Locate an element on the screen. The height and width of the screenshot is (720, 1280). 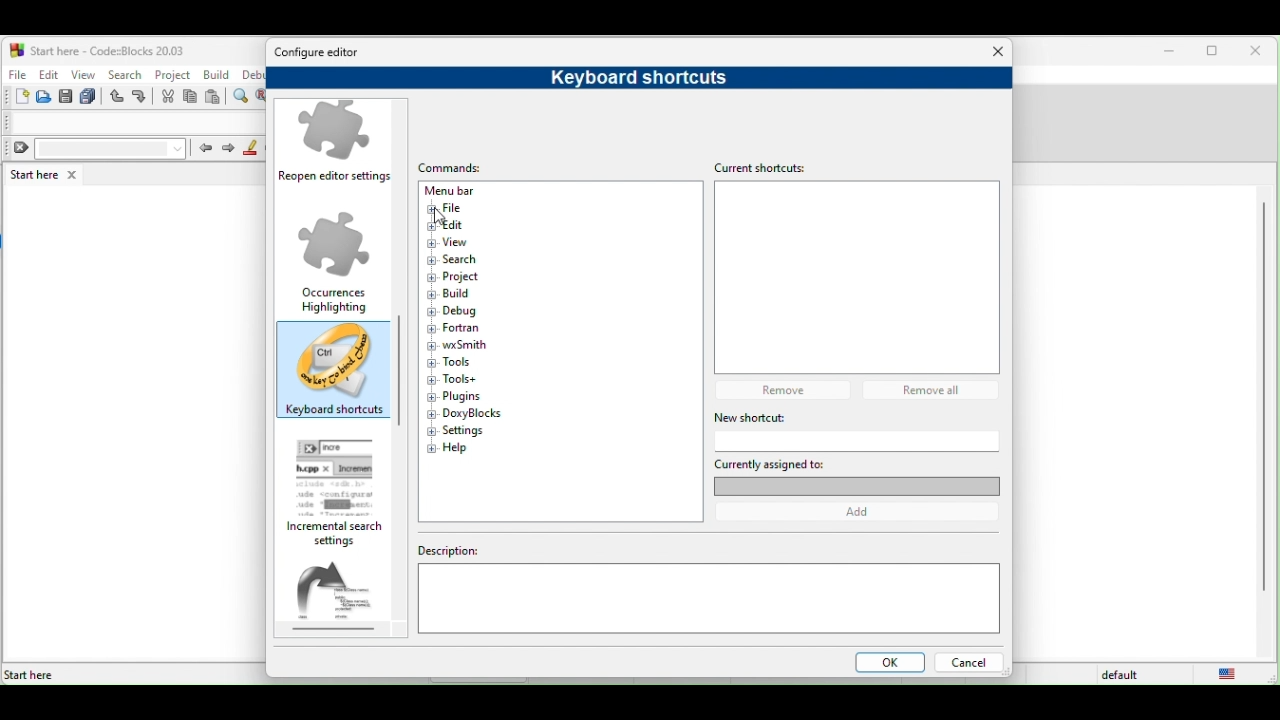
clear is located at coordinates (96, 149).